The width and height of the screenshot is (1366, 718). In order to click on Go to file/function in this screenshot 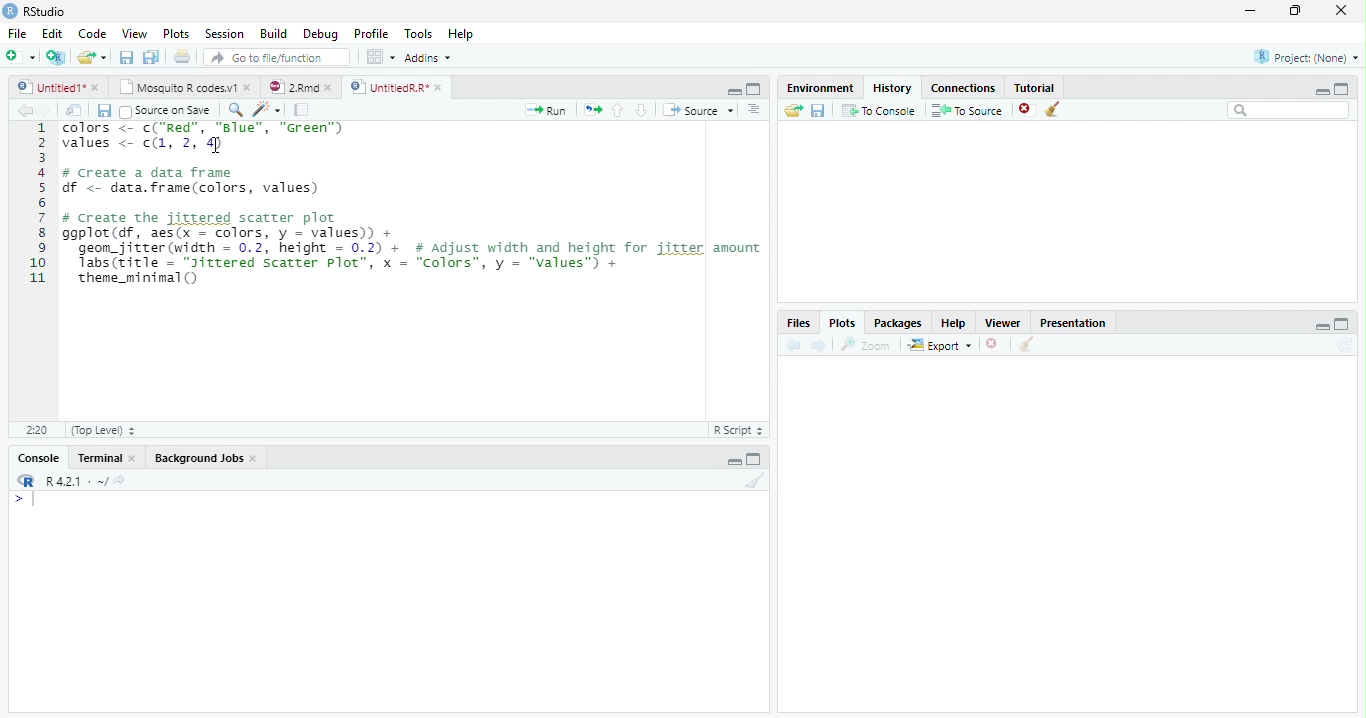, I will do `click(277, 57)`.